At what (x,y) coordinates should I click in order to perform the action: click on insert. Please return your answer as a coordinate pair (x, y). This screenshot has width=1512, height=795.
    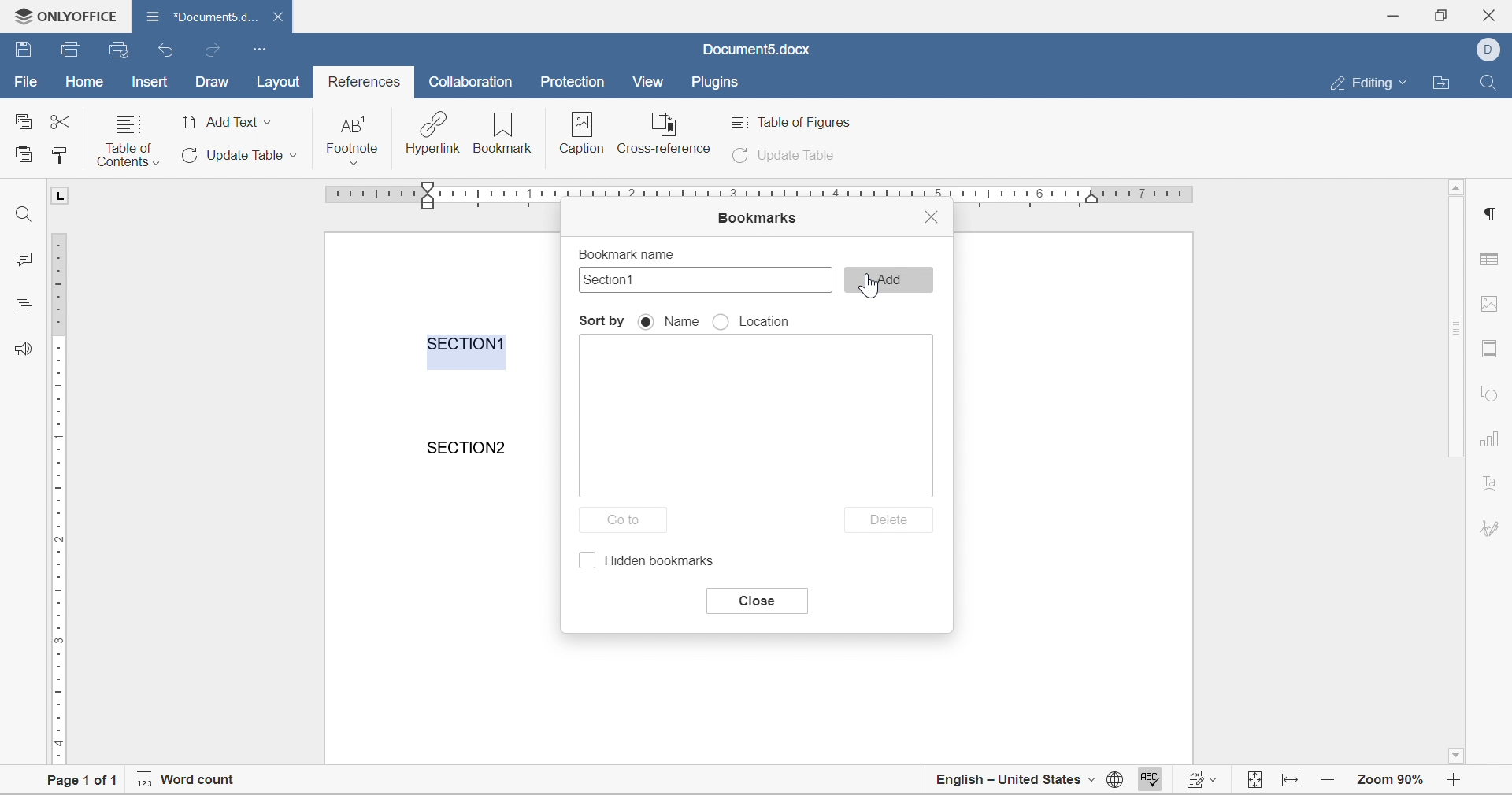
    Looking at the image, I should click on (148, 81).